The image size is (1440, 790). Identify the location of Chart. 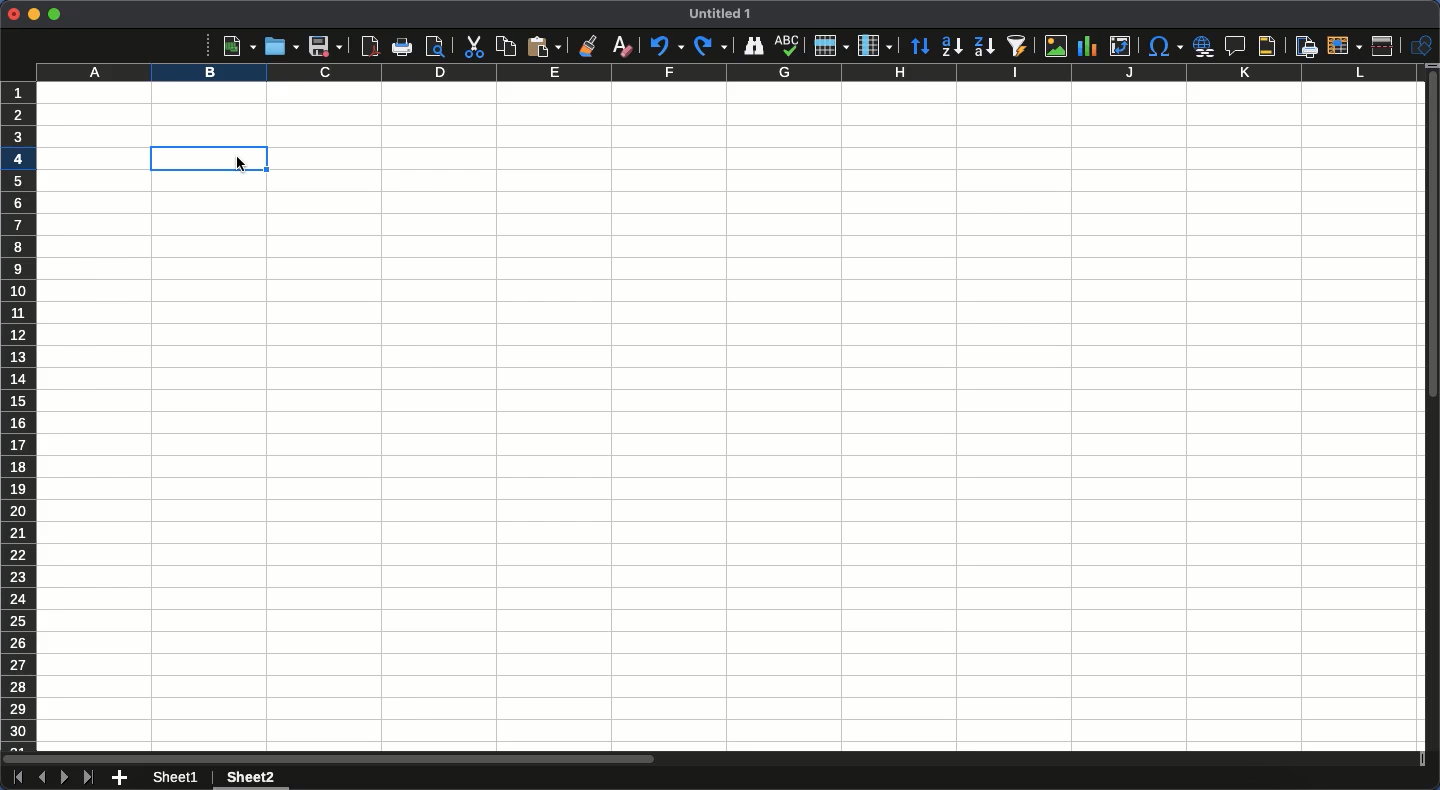
(1085, 48).